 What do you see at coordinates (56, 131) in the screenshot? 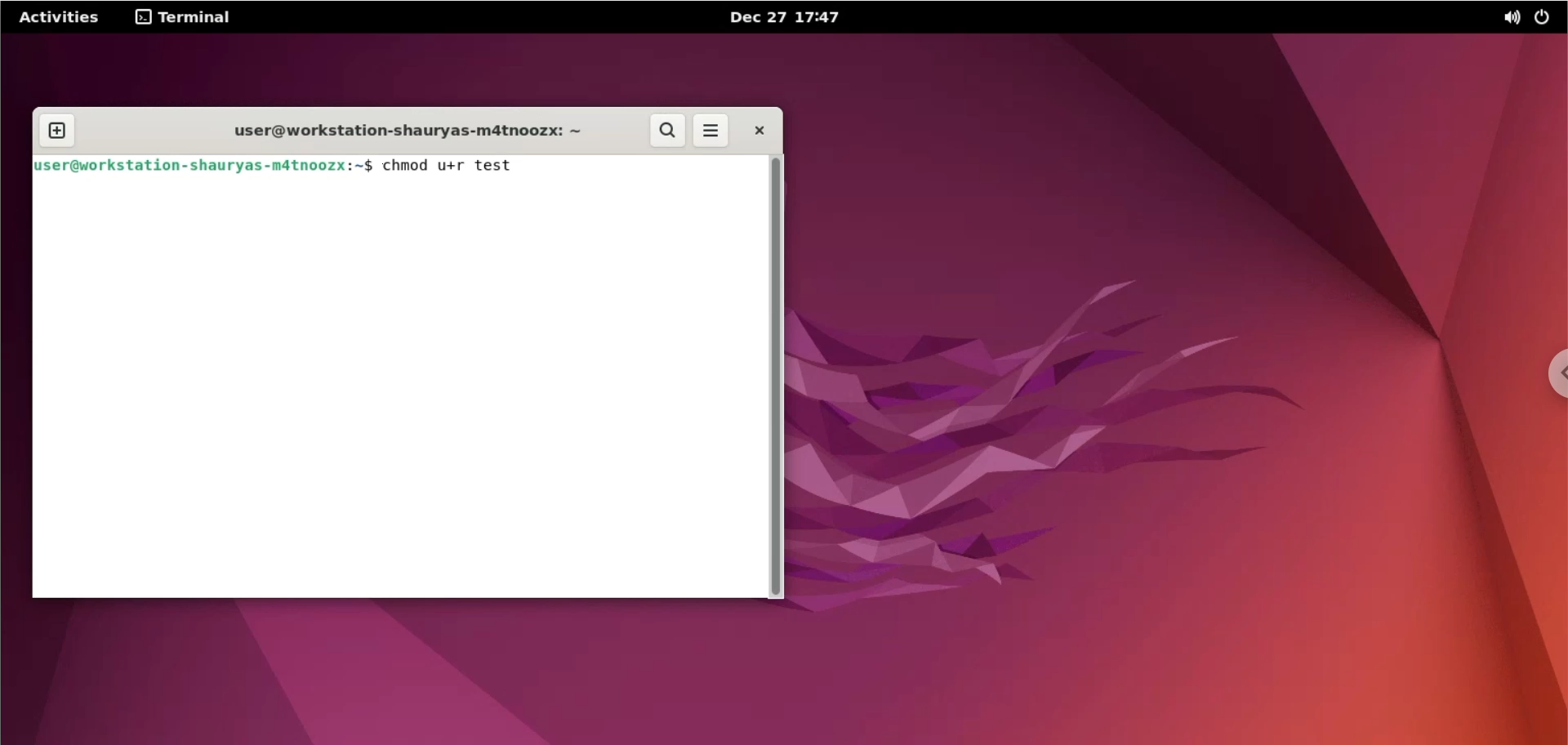
I see `new tab` at bounding box center [56, 131].